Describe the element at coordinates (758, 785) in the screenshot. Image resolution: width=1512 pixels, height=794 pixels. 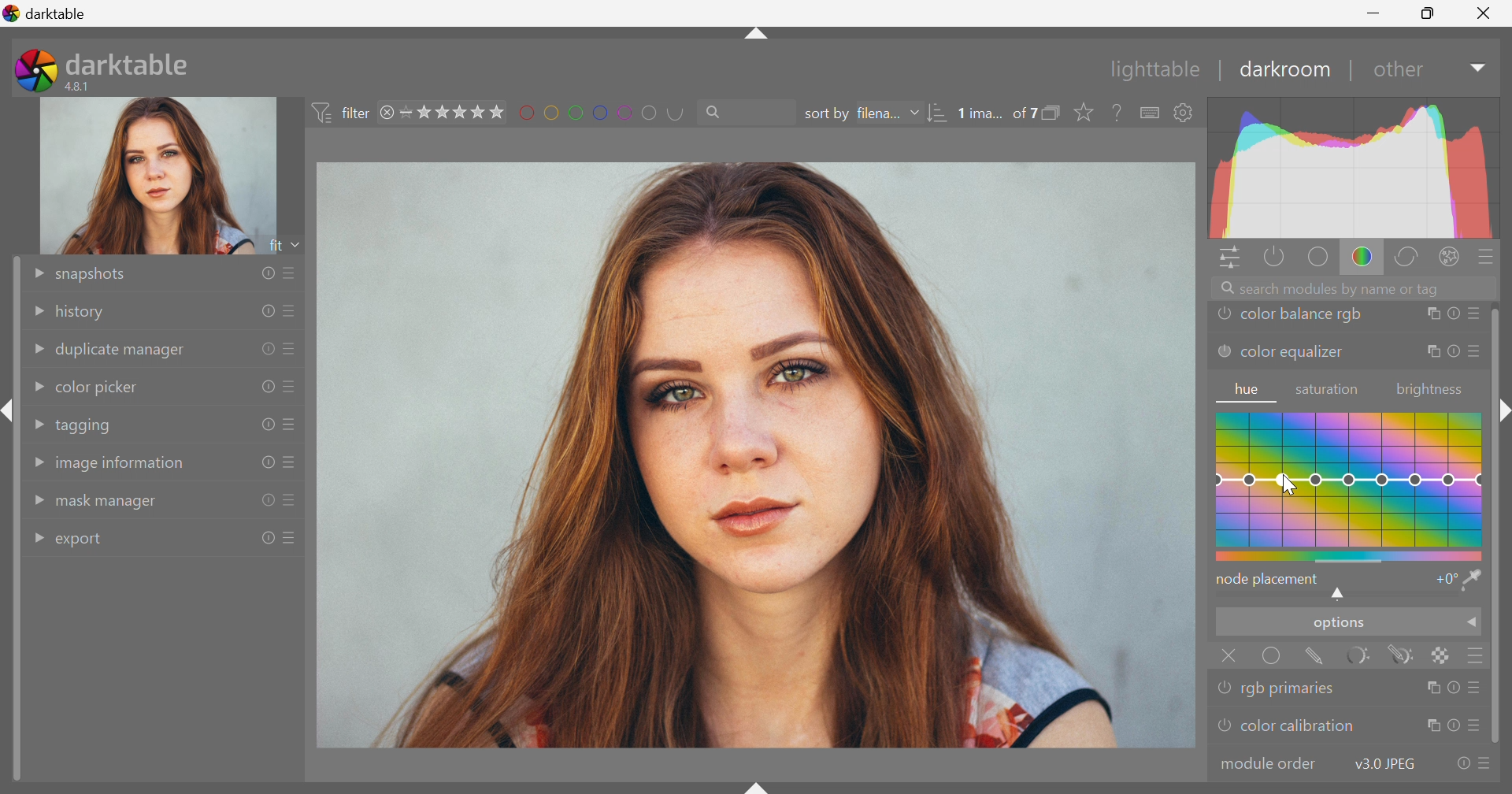
I see `shift+ctrl+b` at that location.